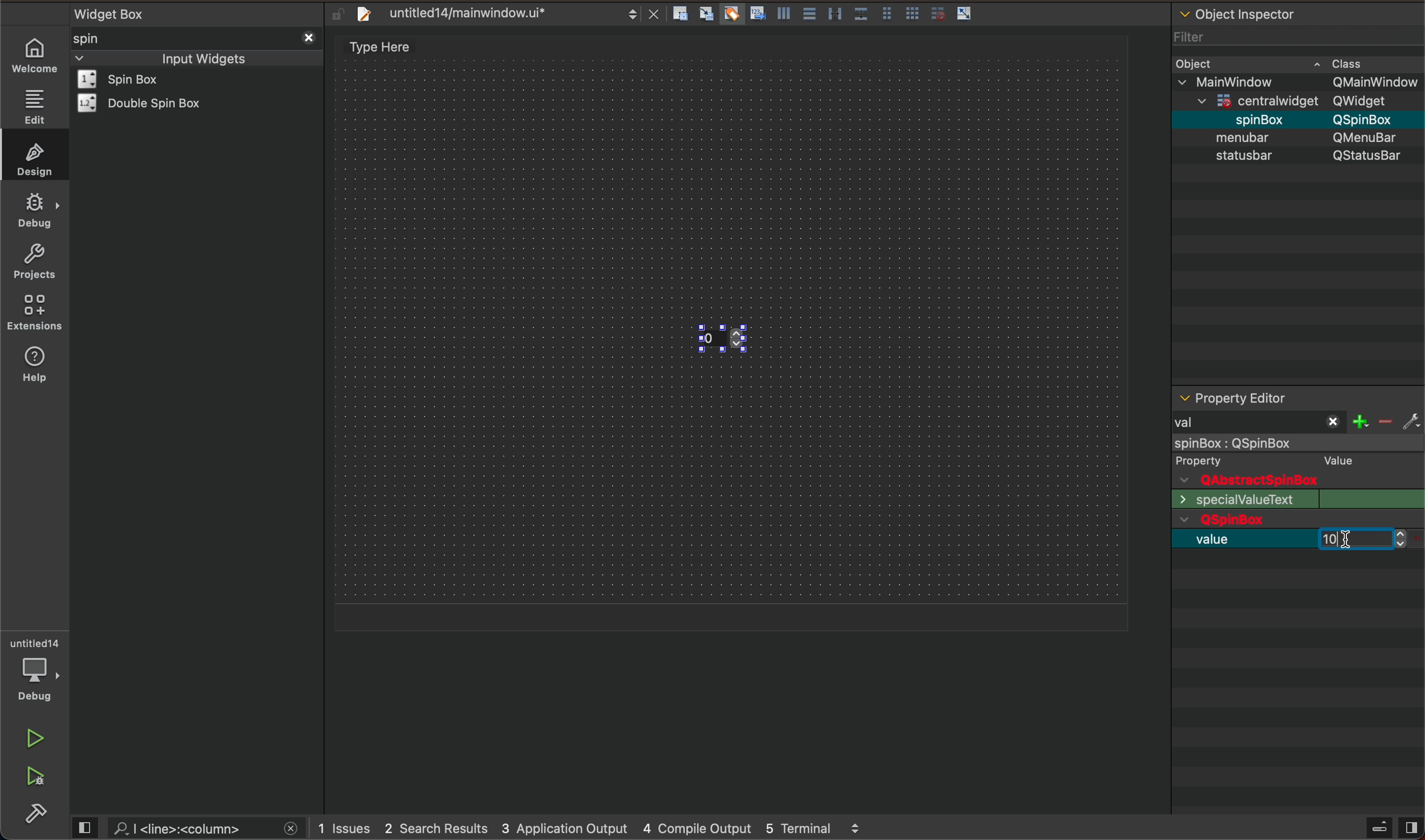  What do you see at coordinates (1374, 82) in the screenshot?
I see `` at bounding box center [1374, 82].